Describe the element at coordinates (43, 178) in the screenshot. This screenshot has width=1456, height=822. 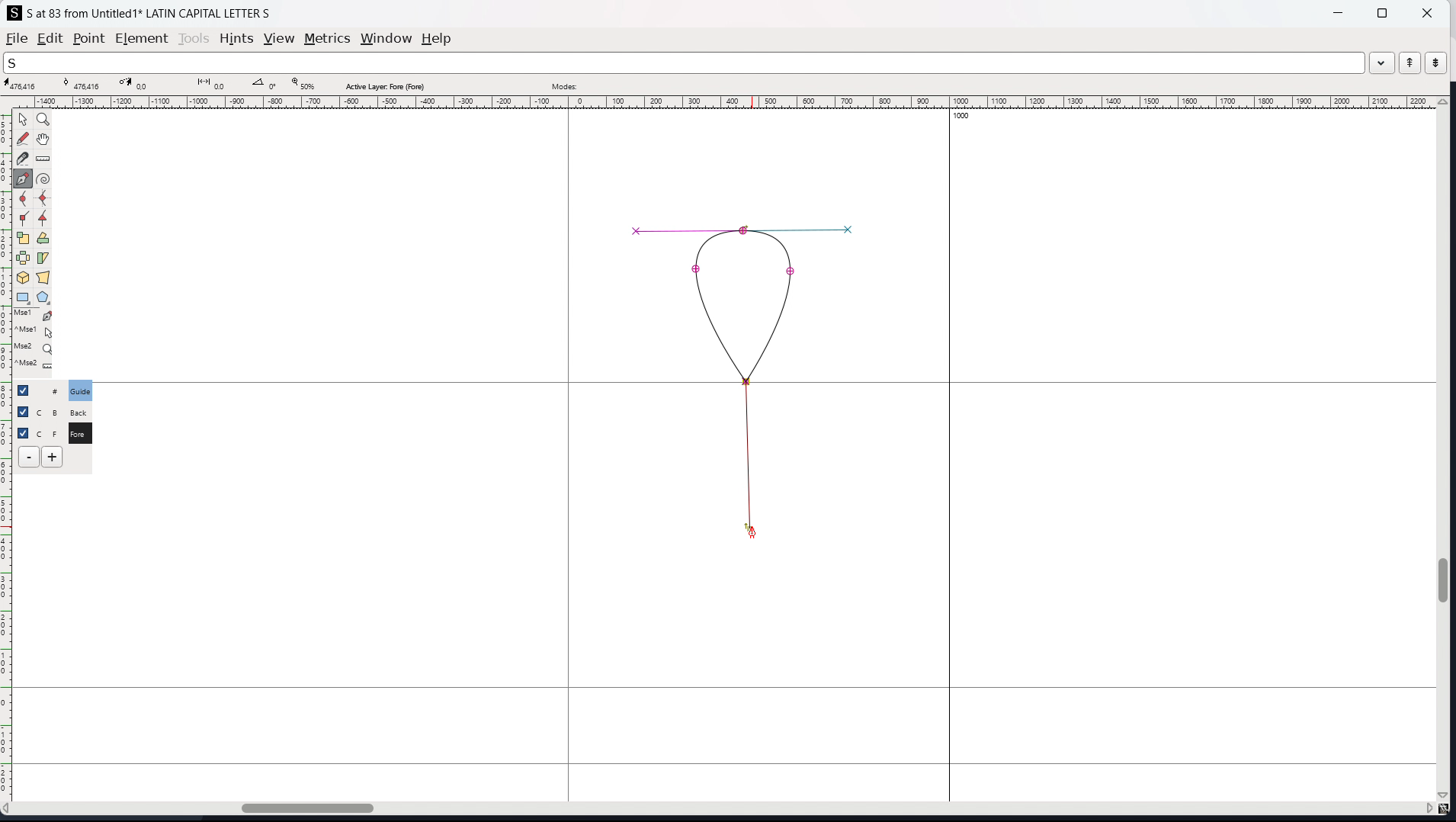
I see `toggle spiro` at that location.